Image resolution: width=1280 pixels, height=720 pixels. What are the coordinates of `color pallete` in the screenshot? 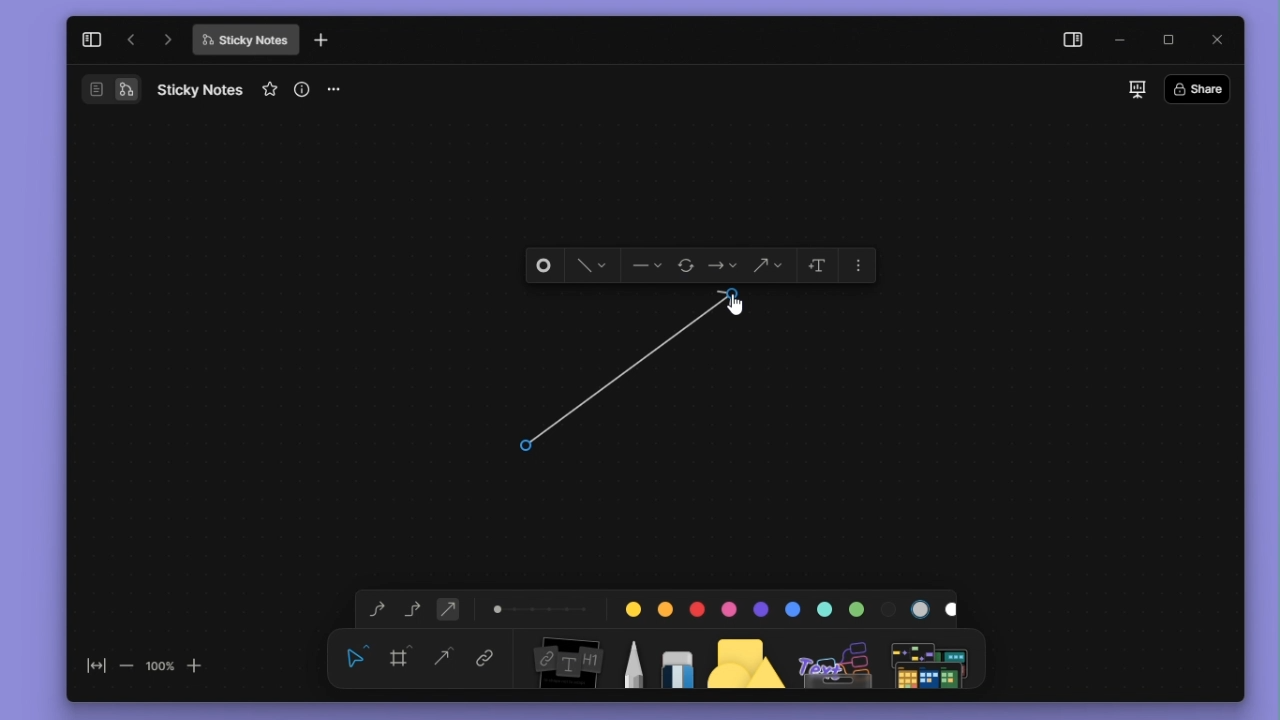 It's located at (785, 605).